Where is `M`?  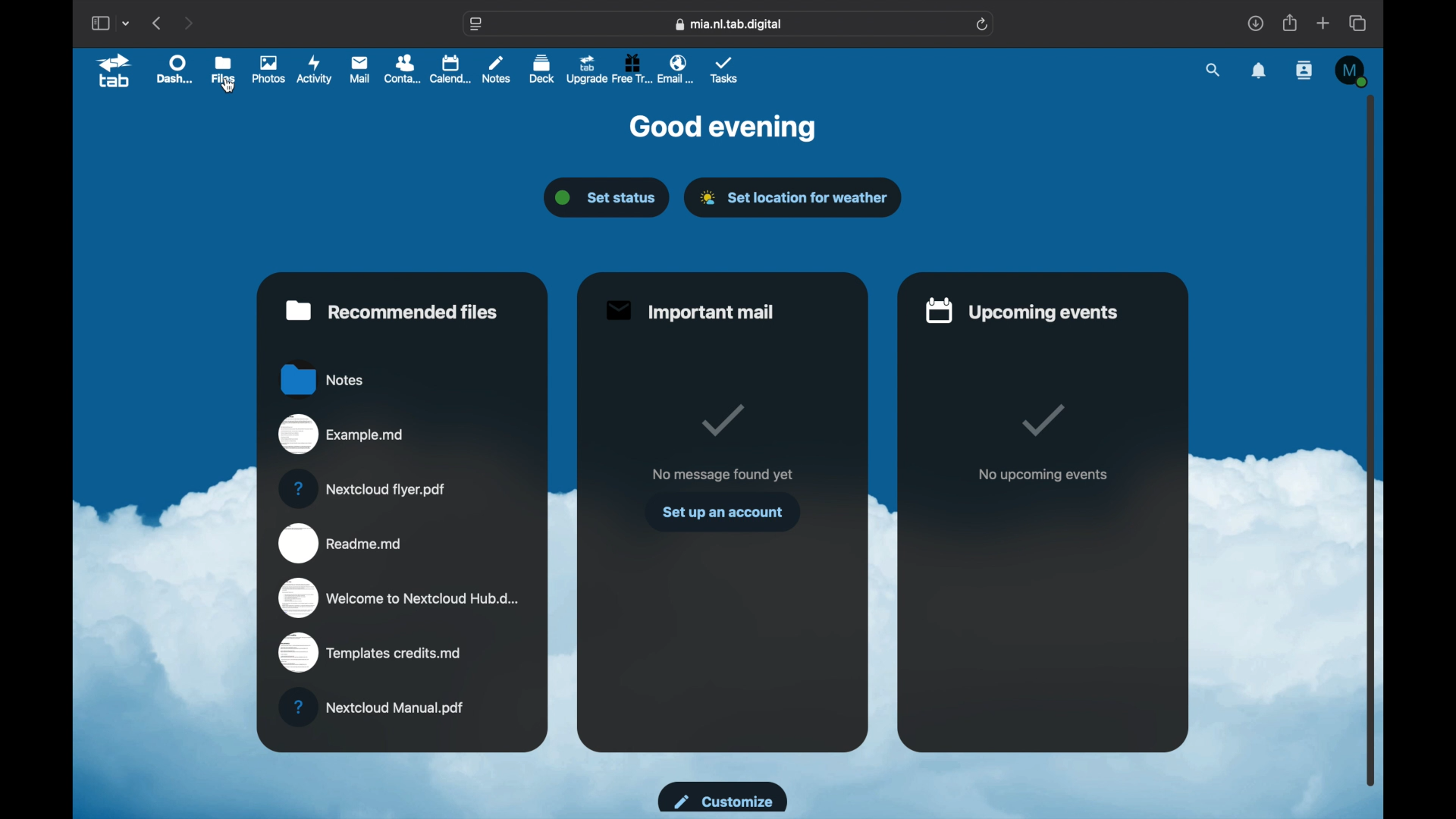 M is located at coordinates (1353, 71).